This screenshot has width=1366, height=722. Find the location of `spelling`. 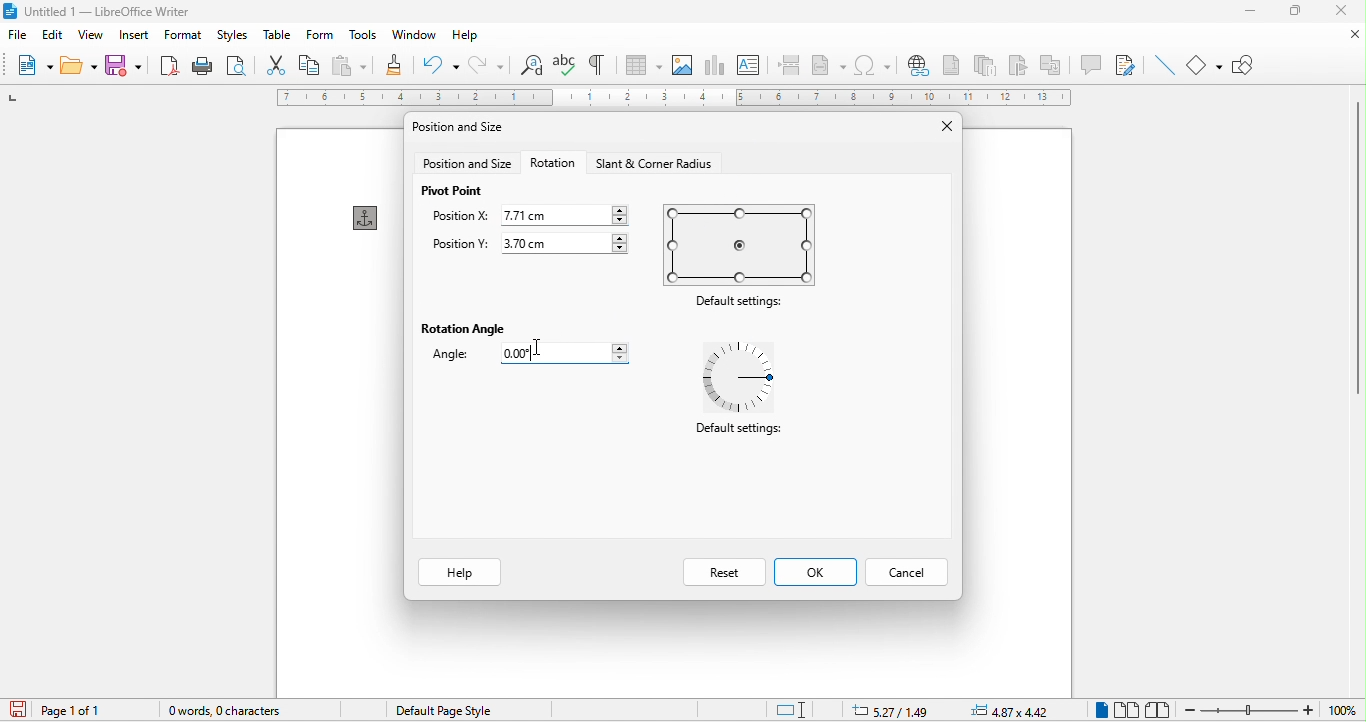

spelling is located at coordinates (564, 65).